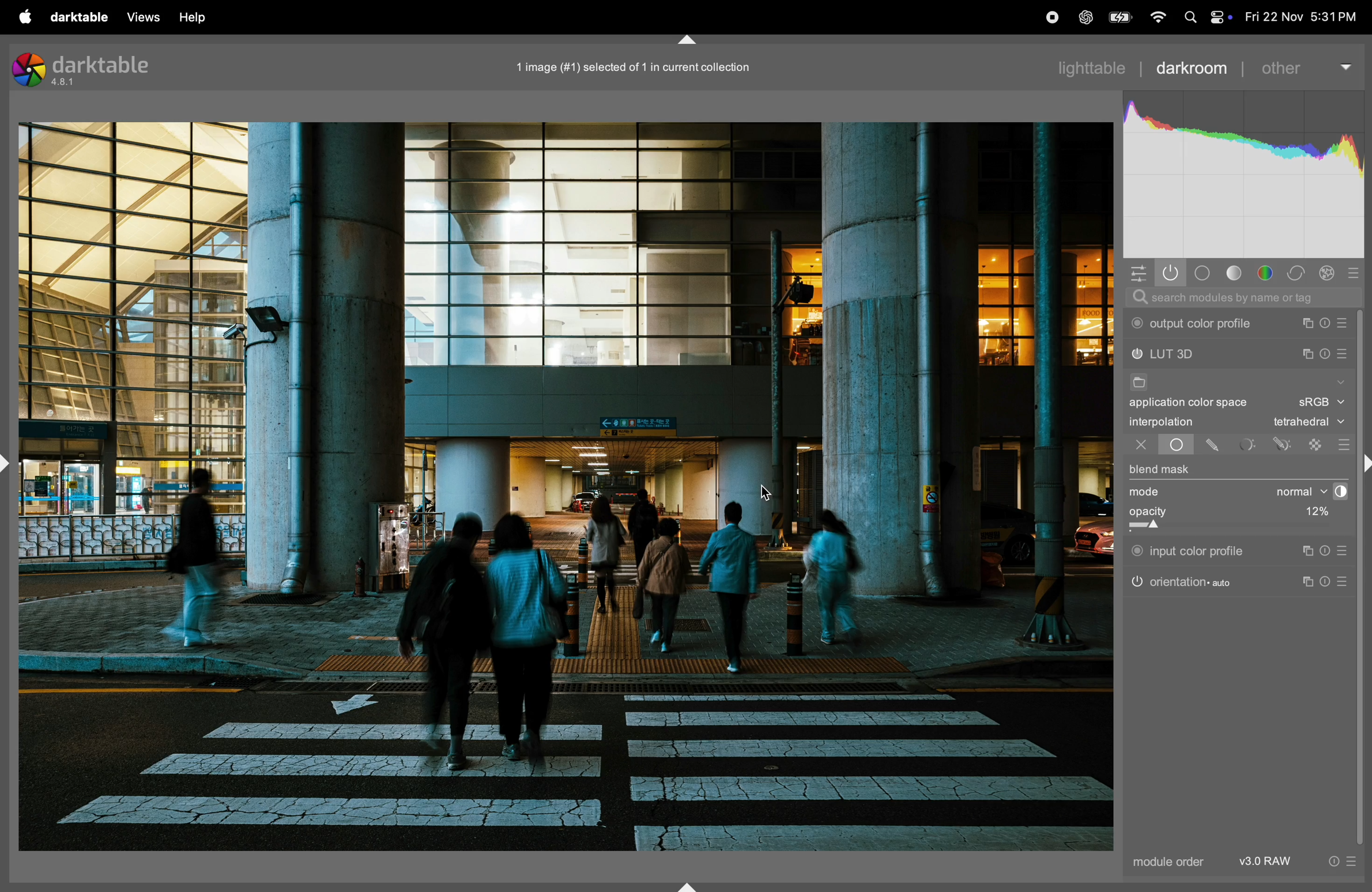 This screenshot has width=1372, height=892. Describe the element at coordinates (1215, 445) in the screenshot. I see `drawn mask` at that location.